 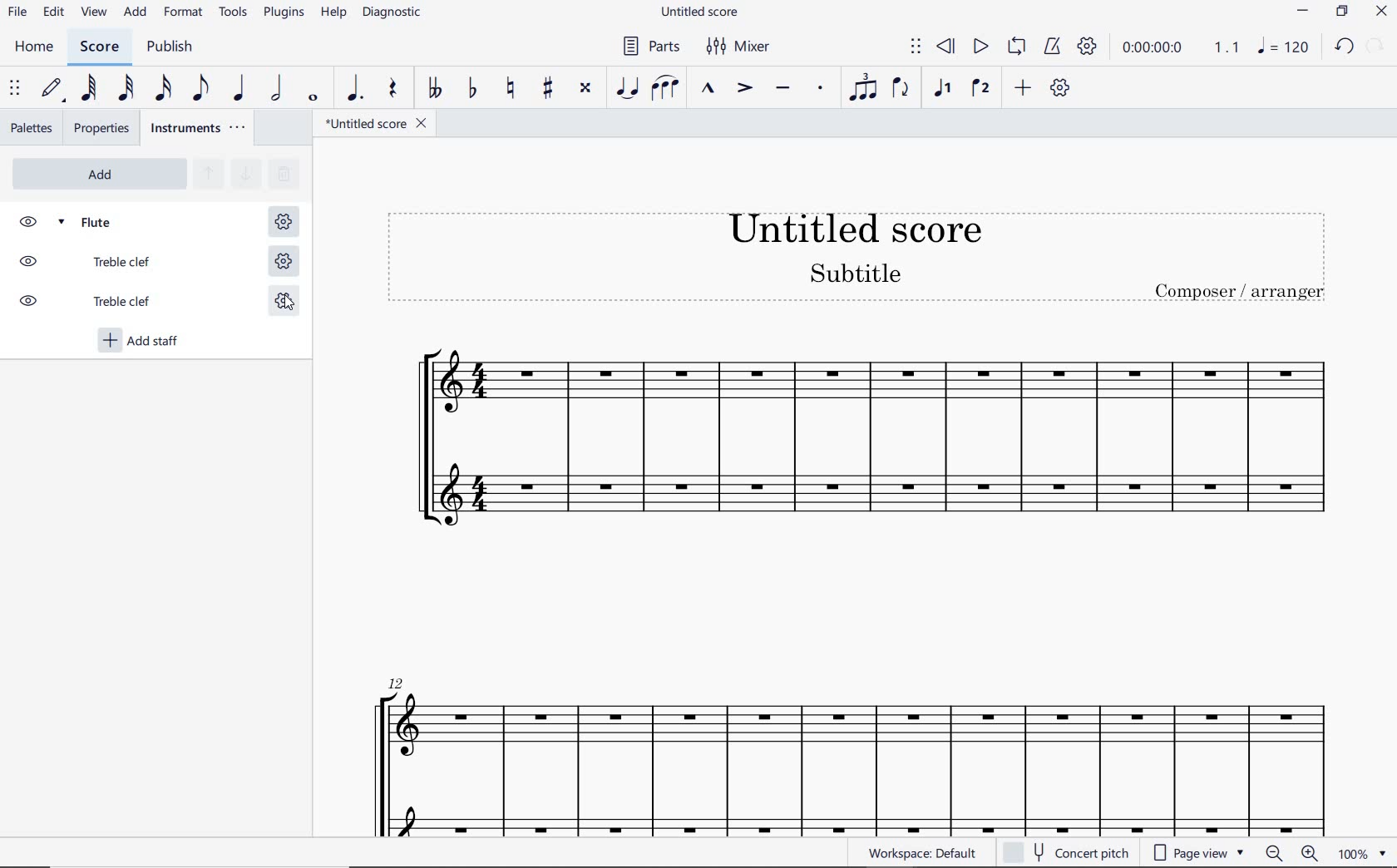 I want to click on restore down, so click(x=1341, y=12).